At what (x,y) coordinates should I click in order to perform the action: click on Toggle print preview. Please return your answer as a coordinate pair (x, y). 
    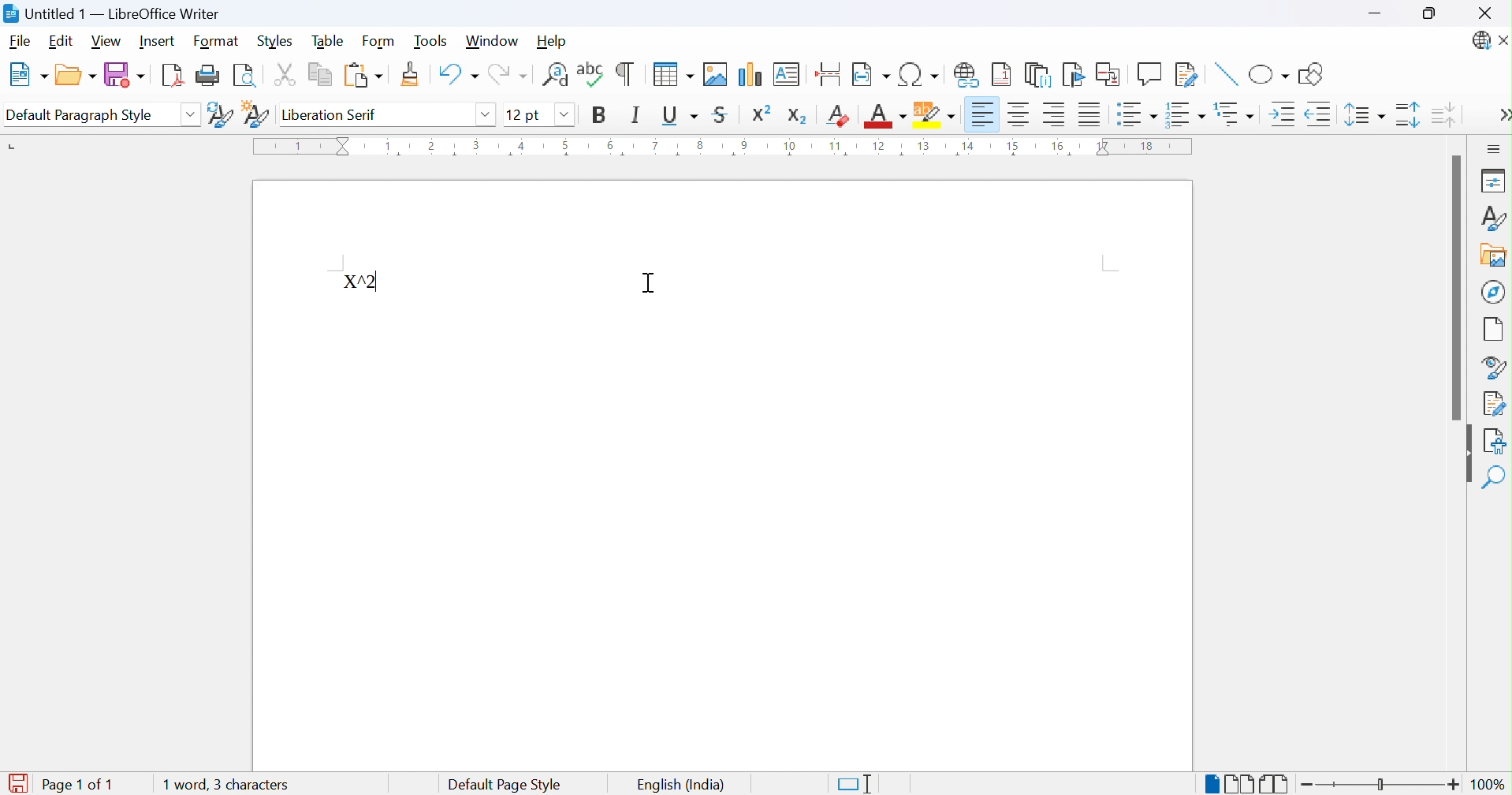
    Looking at the image, I should click on (244, 77).